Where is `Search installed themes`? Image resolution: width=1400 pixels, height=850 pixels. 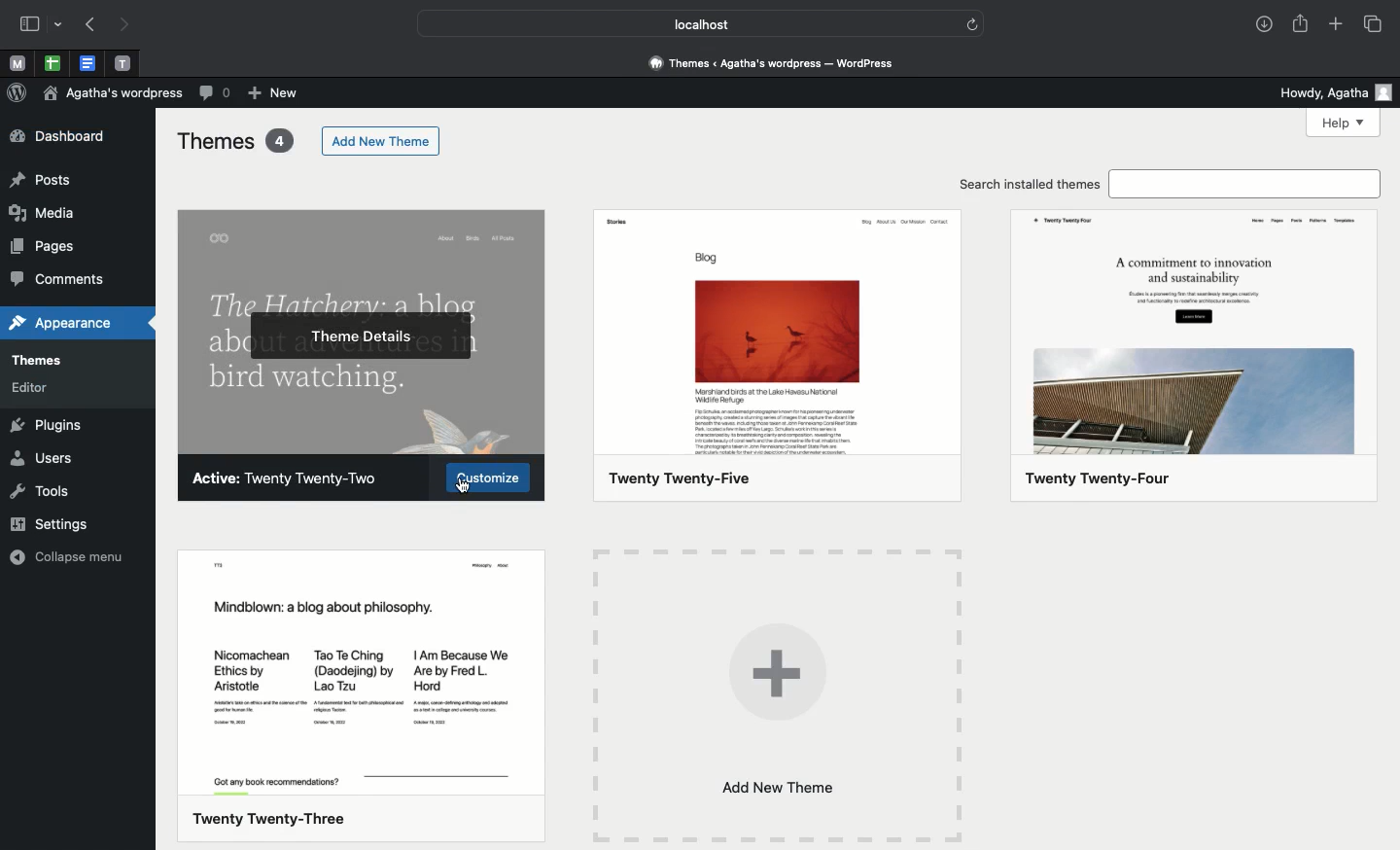 Search installed themes is located at coordinates (1032, 184).